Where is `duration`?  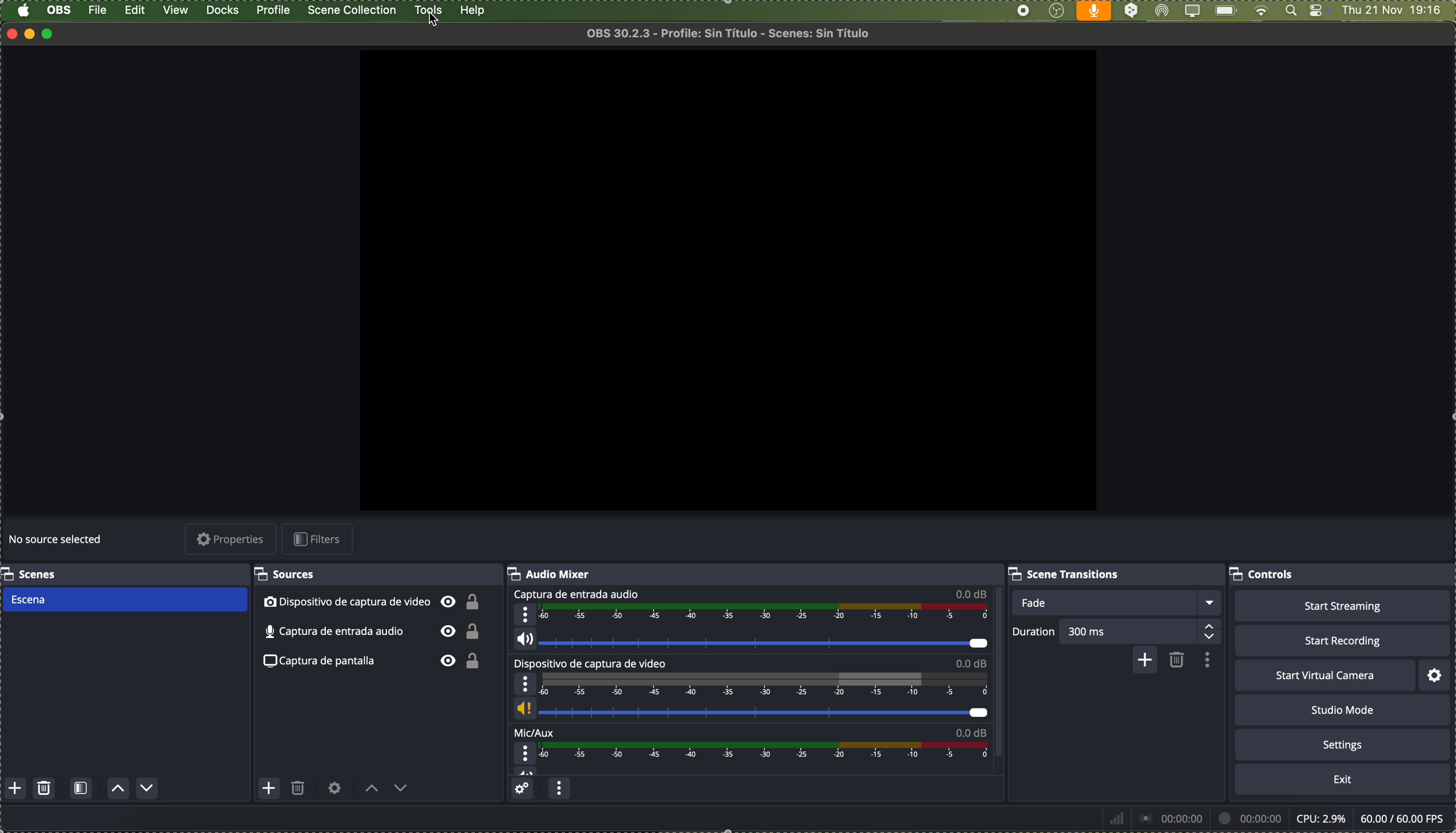
duration is located at coordinates (1034, 633).